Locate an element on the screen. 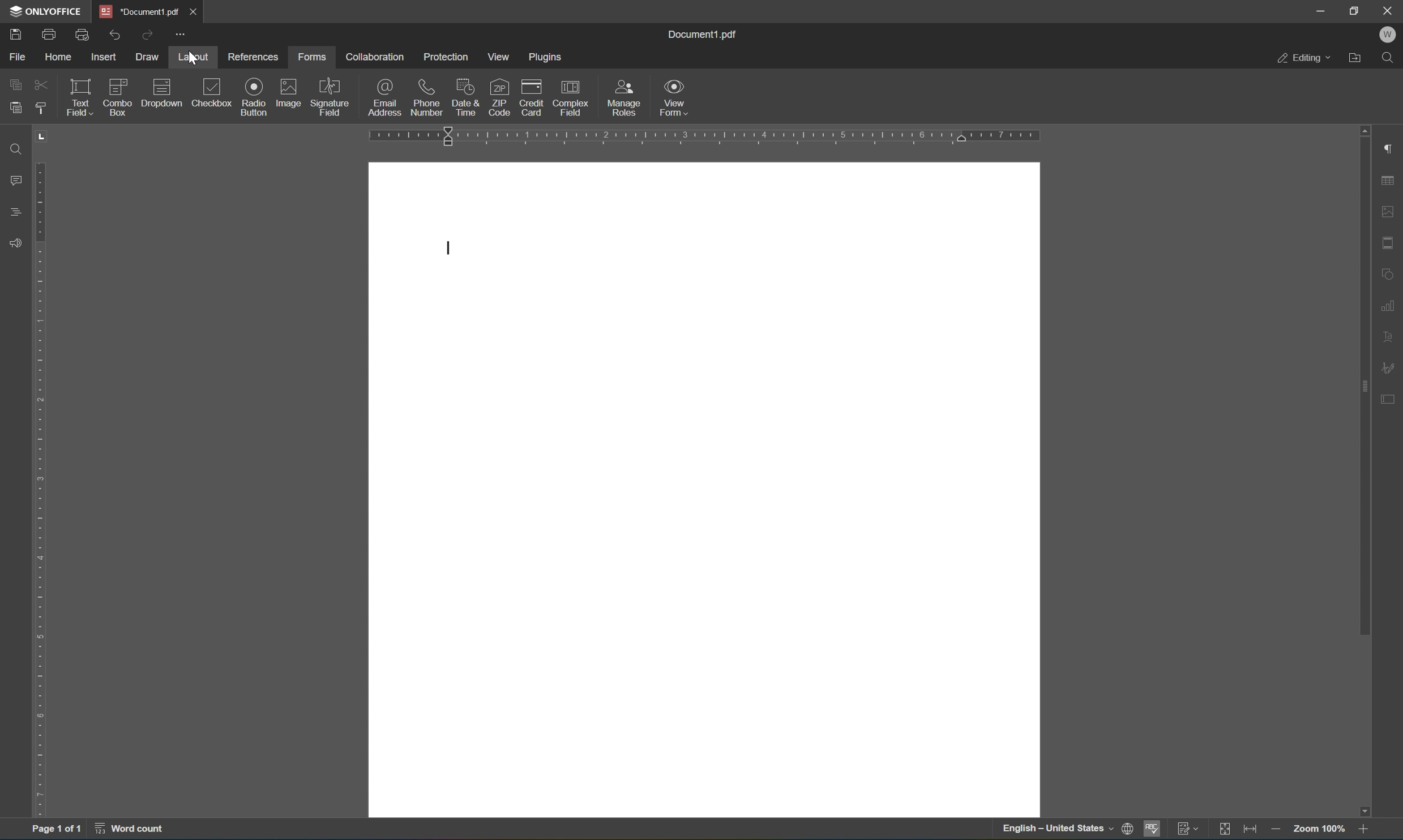  zoom out is located at coordinates (1275, 830).